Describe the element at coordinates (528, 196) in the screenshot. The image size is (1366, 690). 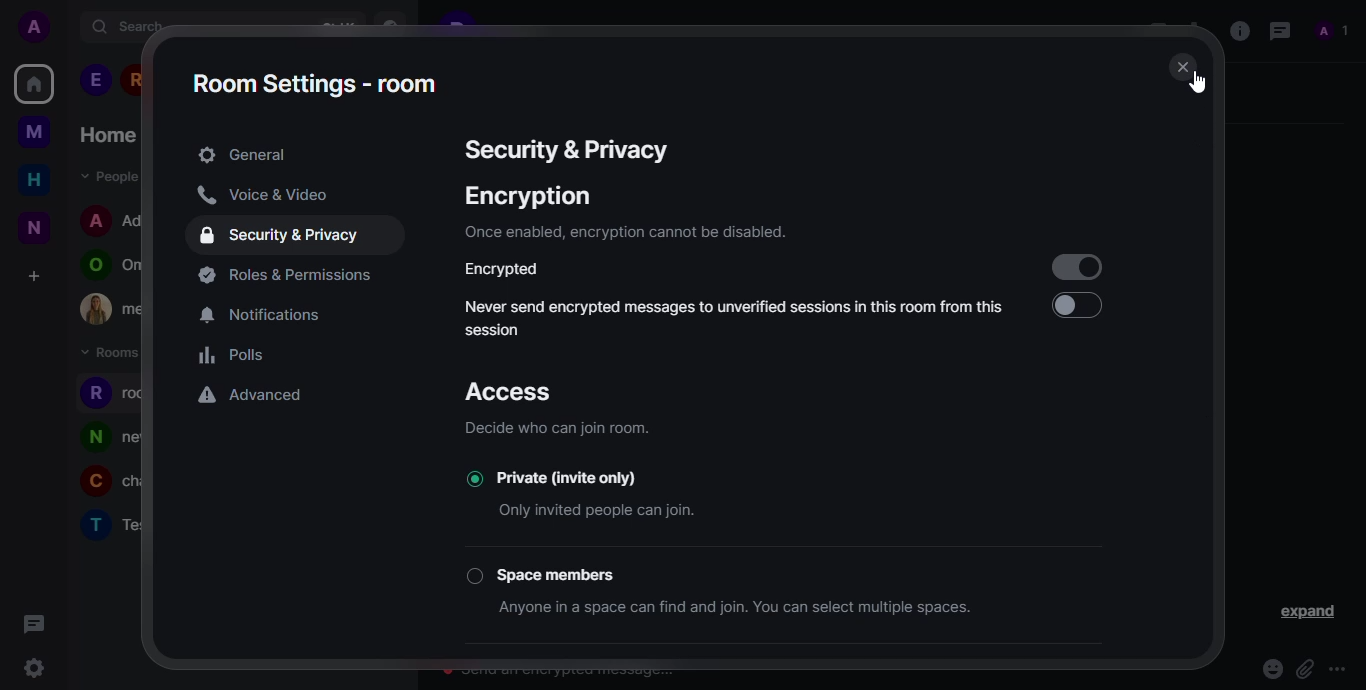
I see `encryption` at that location.